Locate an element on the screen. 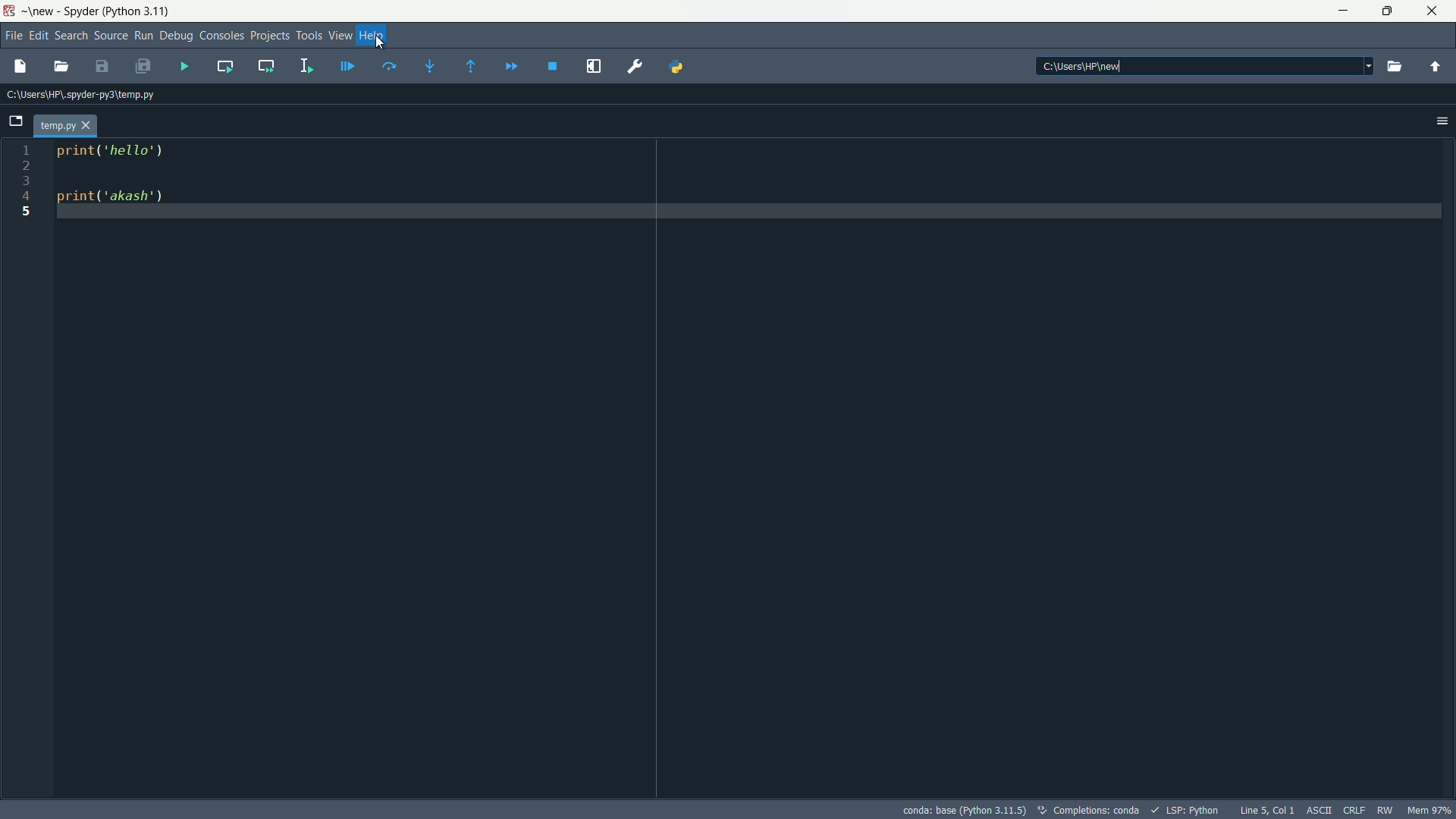 The height and width of the screenshot is (819, 1456). debug menu is located at coordinates (176, 36).